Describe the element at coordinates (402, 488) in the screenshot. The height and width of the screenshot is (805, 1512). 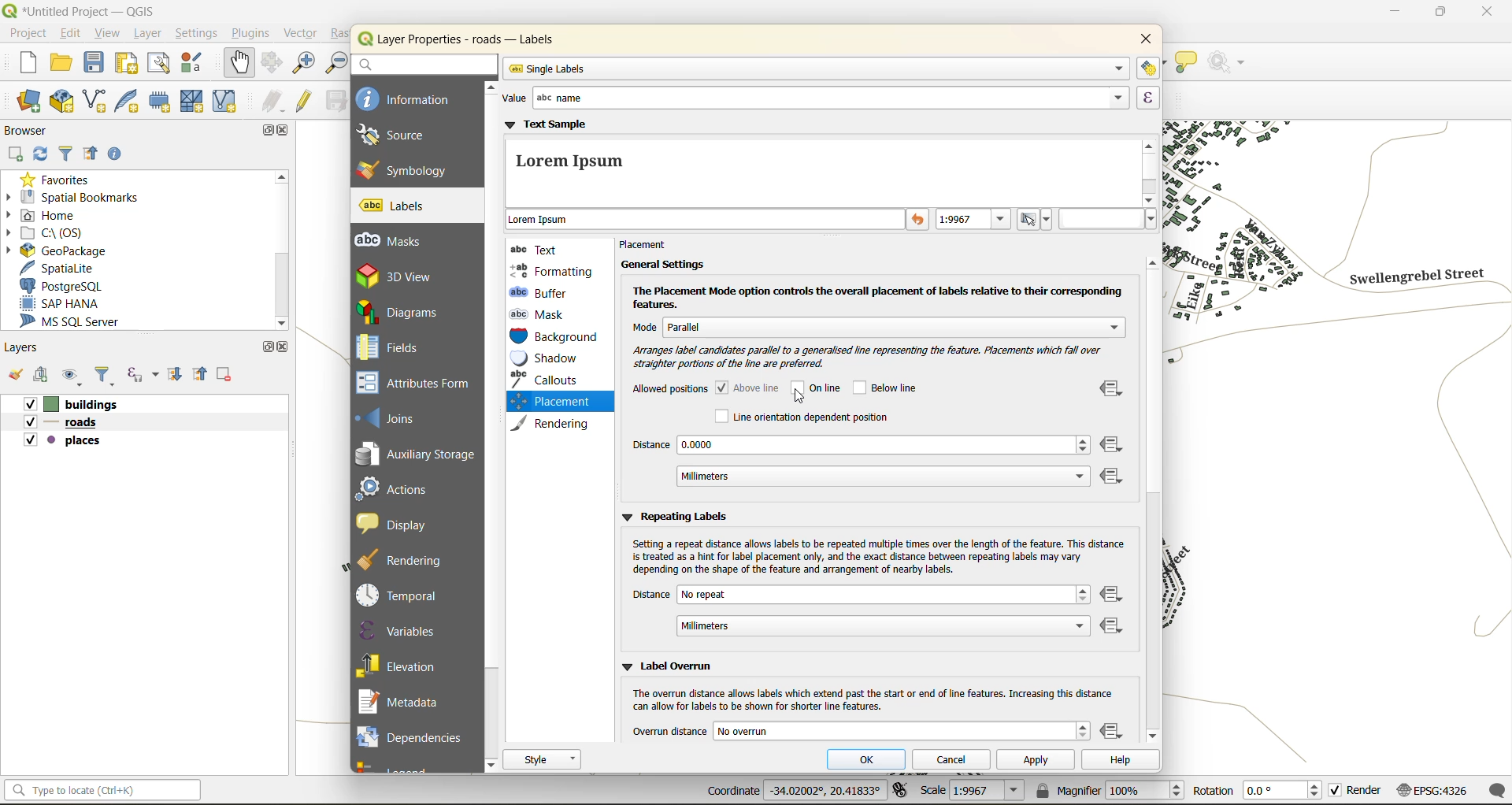
I see `actions` at that location.